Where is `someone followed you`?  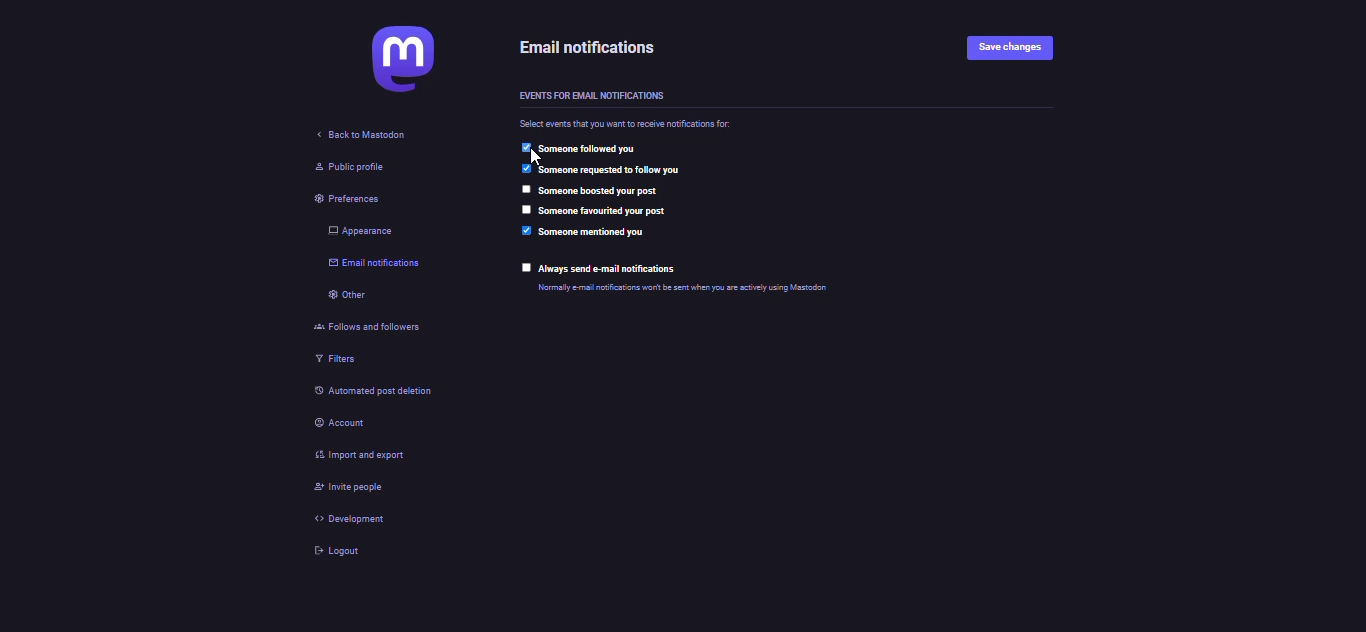 someone followed you is located at coordinates (589, 148).